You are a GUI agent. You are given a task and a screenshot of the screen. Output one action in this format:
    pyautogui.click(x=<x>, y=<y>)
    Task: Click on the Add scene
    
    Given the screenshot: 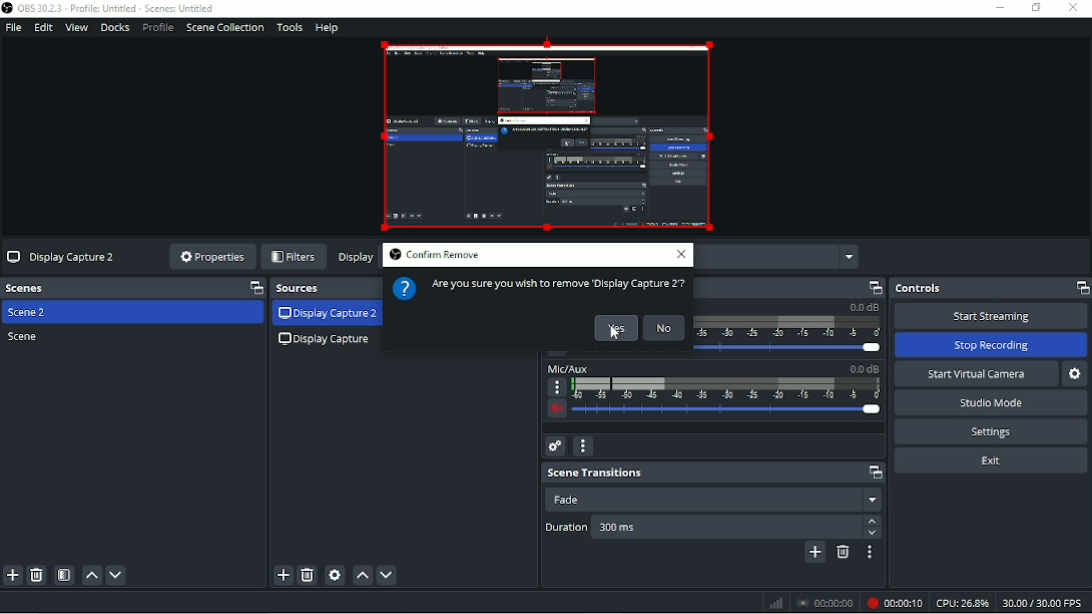 What is the action you would take?
    pyautogui.click(x=13, y=575)
    